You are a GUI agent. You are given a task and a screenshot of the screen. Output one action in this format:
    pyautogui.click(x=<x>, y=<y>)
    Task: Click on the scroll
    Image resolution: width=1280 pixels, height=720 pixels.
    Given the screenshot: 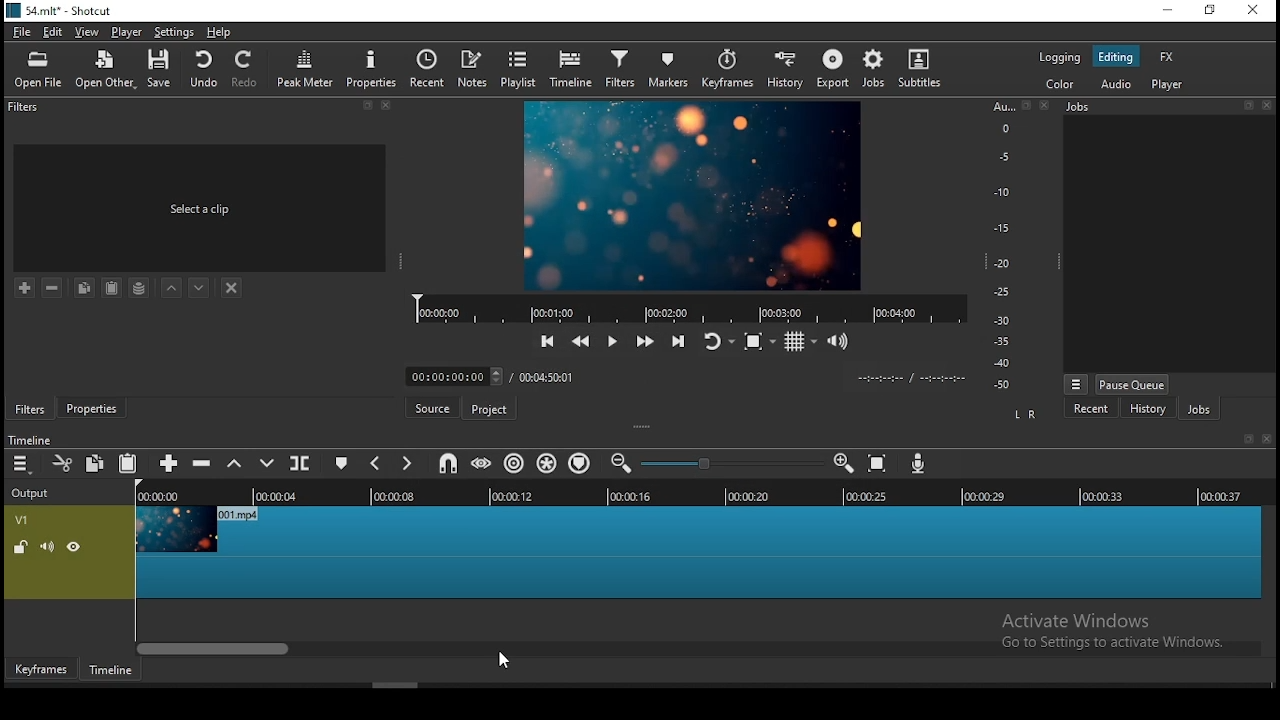 What is the action you would take?
    pyautogui.click(x=395, y=685)
    